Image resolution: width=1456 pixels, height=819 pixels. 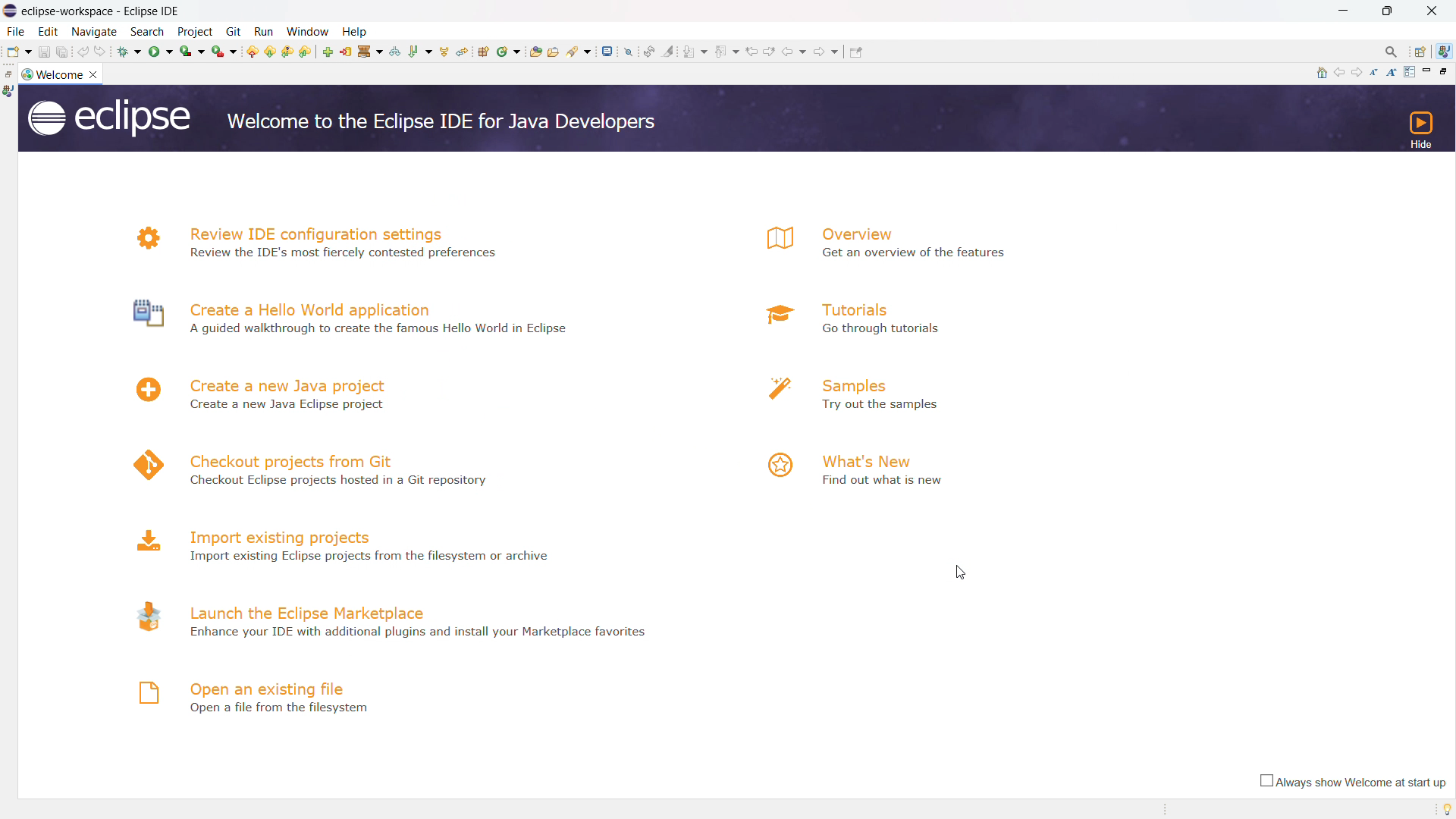 What do you see at coordinates (108, 118) in the screenshot?
I see `logo` at bounding box center [108, 118].